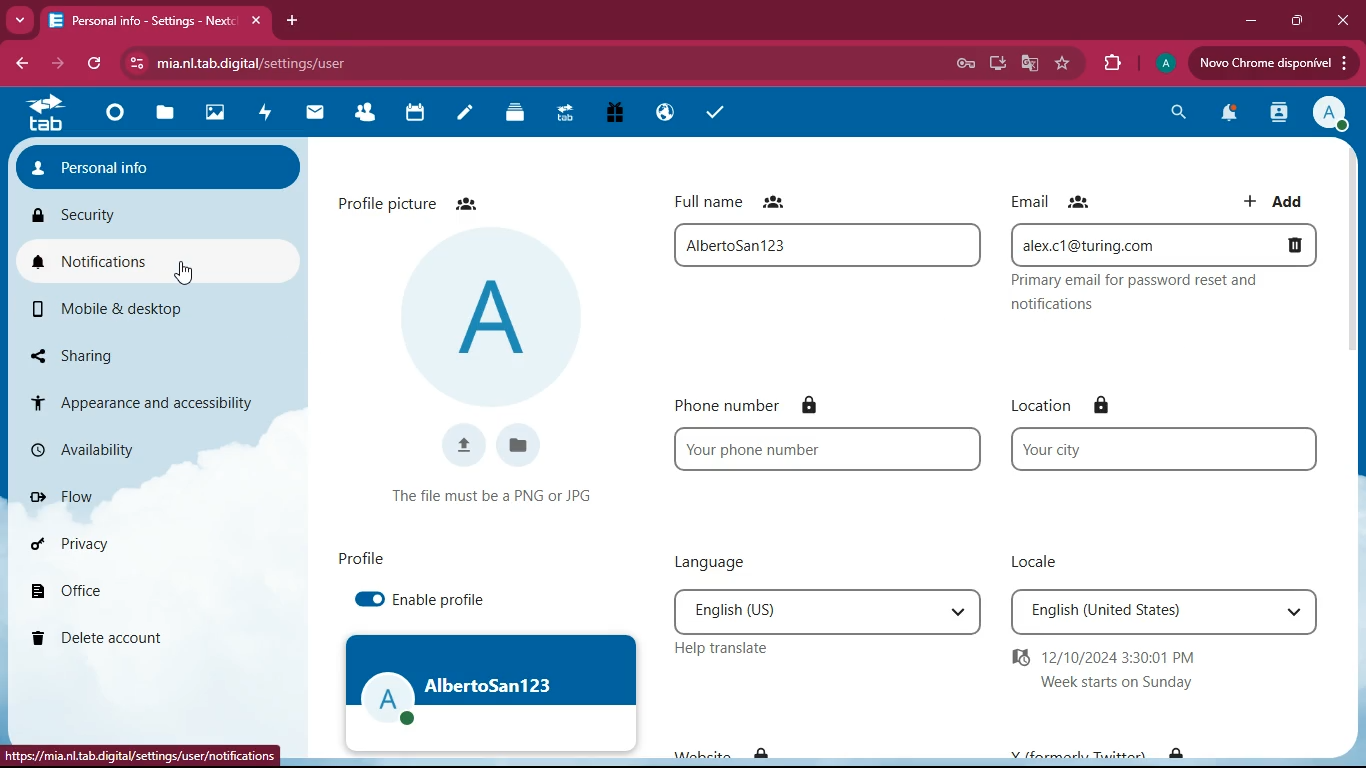 The image size is (1366, 768). I want to click on back, so click(20, 64).